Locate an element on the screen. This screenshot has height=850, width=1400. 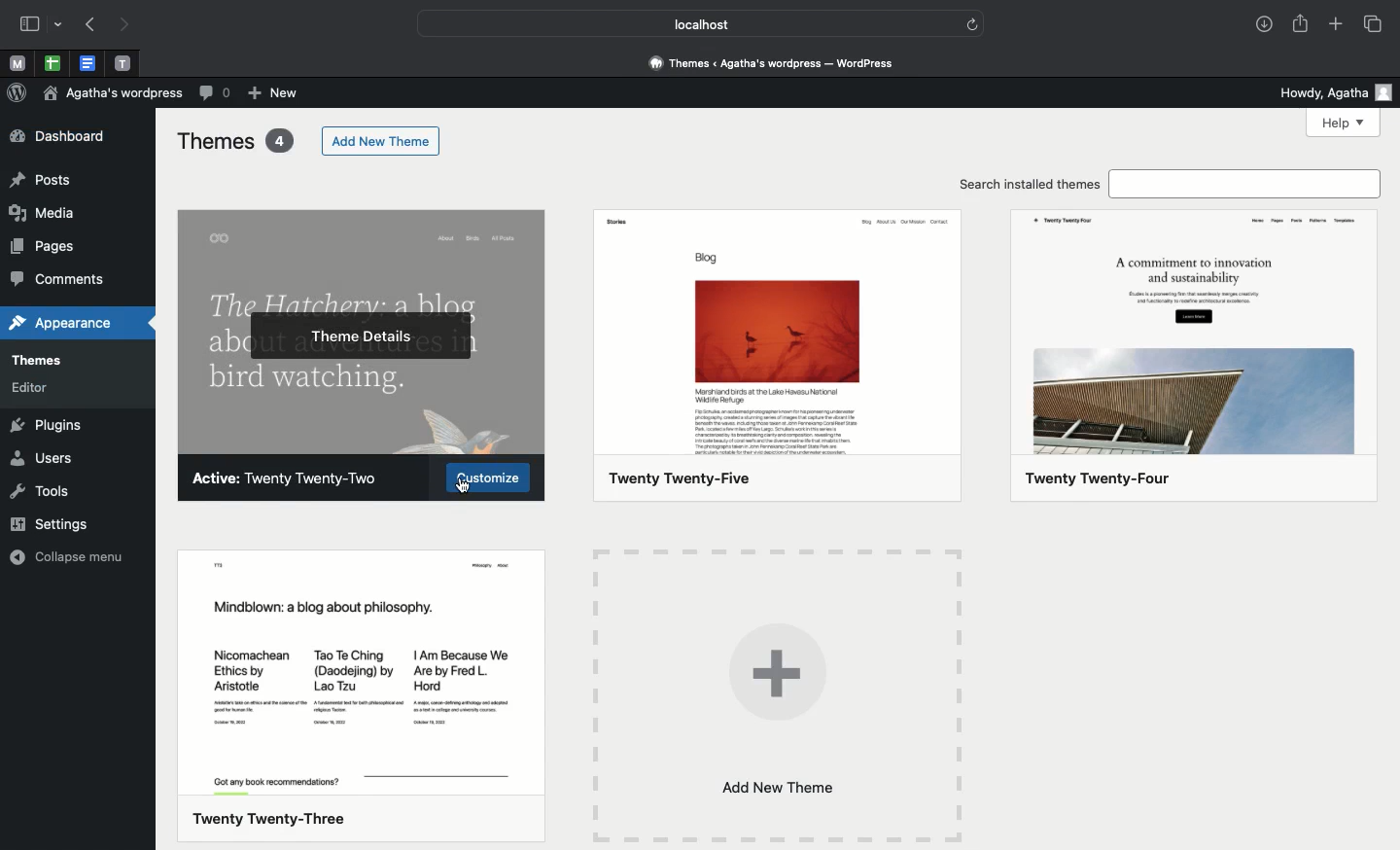
Active: twenty twenty-two is located at coordinates (288, 478).